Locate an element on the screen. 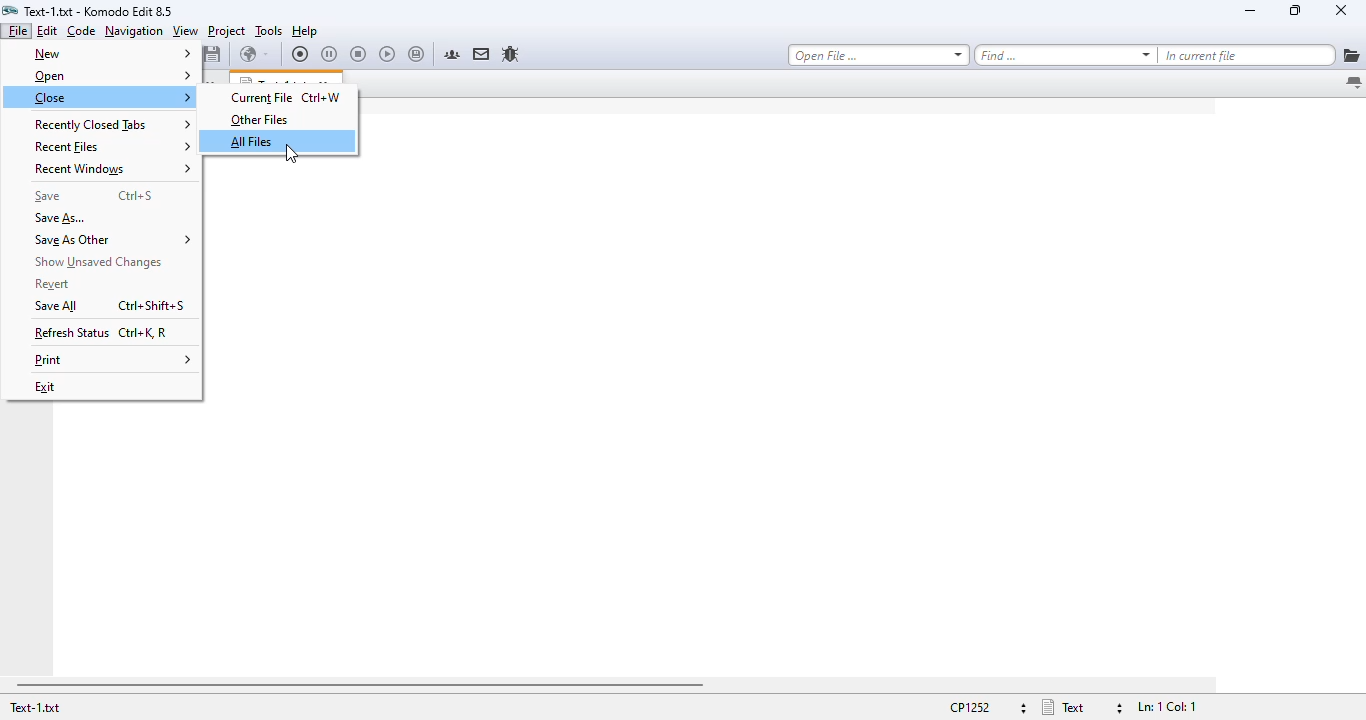  save as is located at coordinates (61, 218).